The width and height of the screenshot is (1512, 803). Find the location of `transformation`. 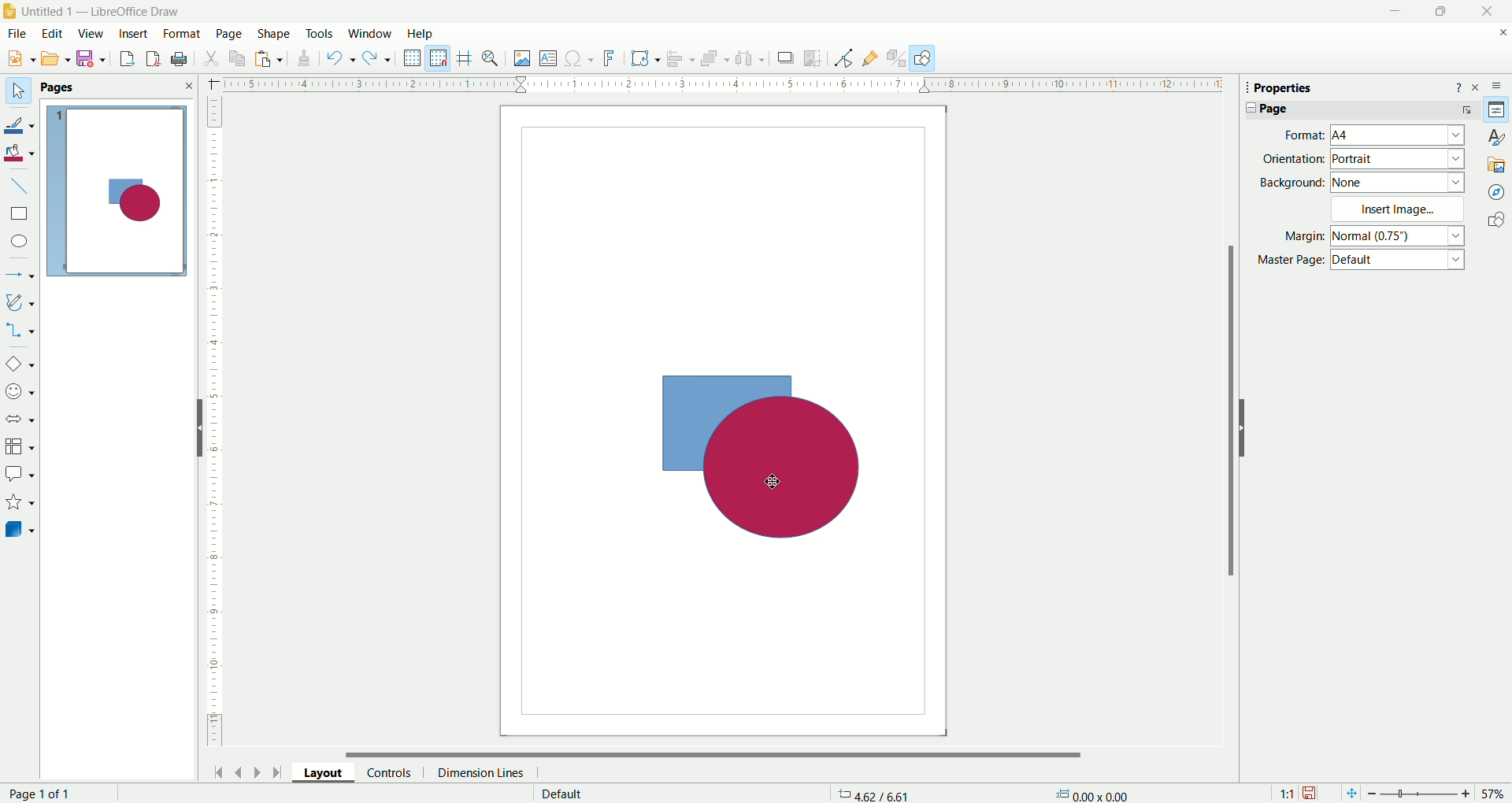

transformation is located at coordinates (647, 57).